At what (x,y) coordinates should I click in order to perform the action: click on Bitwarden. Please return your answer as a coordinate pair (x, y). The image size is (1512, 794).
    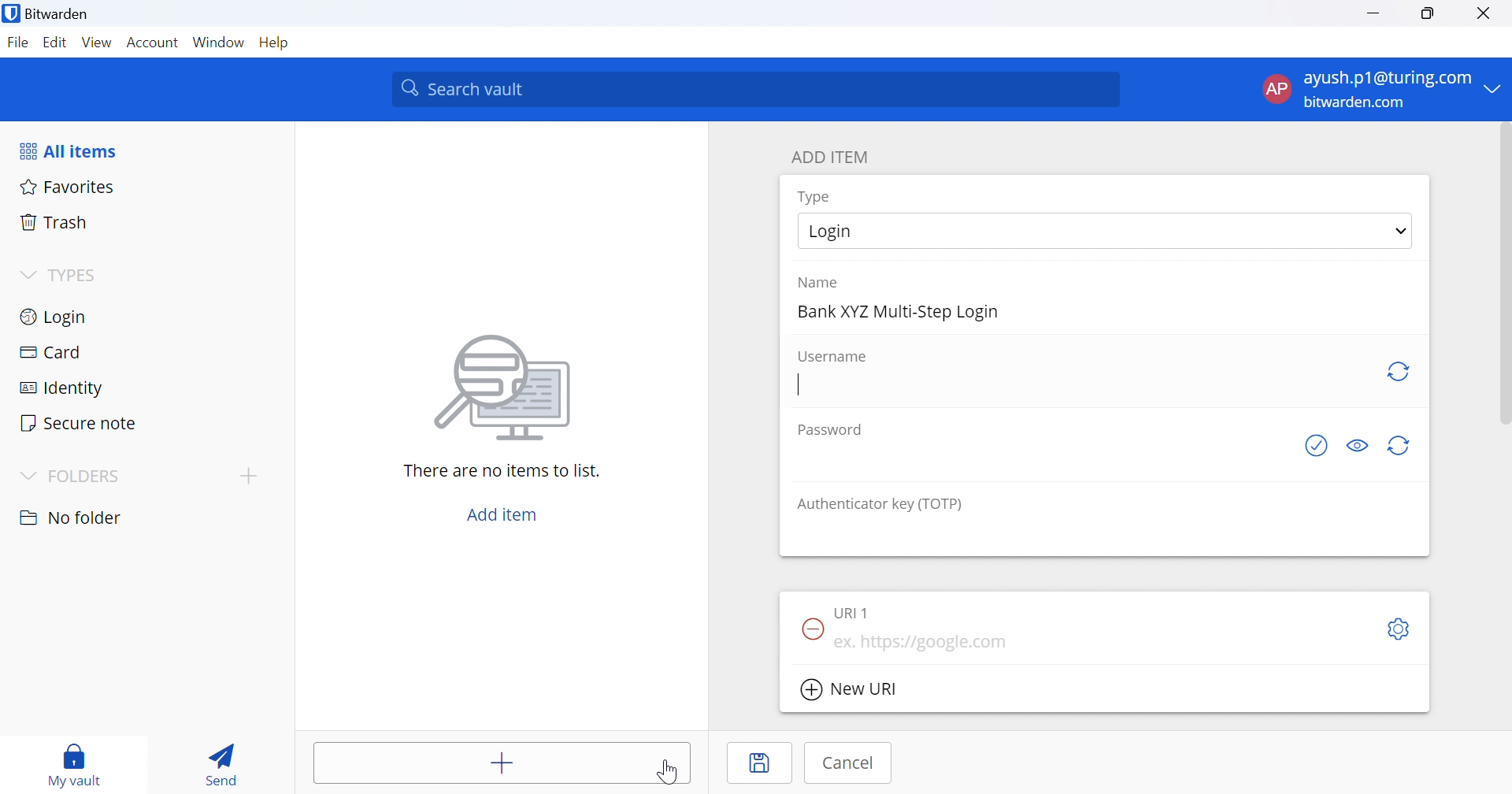
    Looking at the image, I should click on (50, 17).